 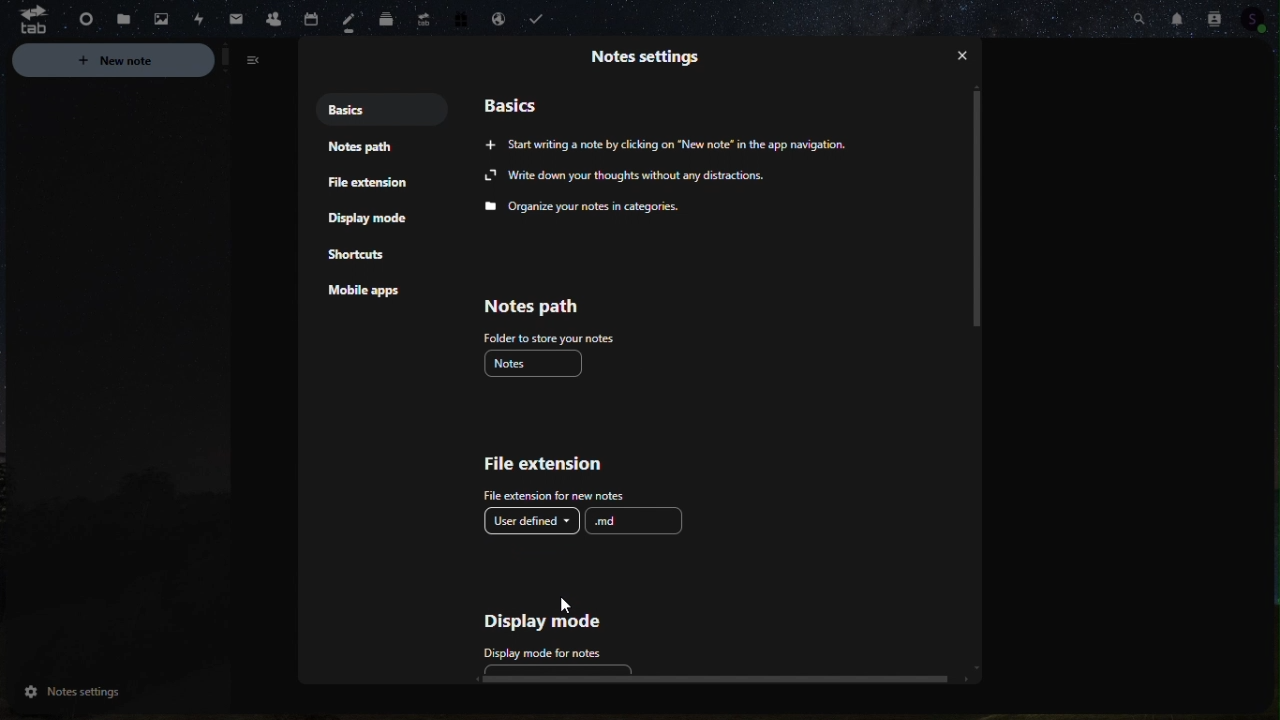 What do you see at coordinates (673, 143) in the screenshot?
I see `Start writing a note` at bounding box center [673, 143].